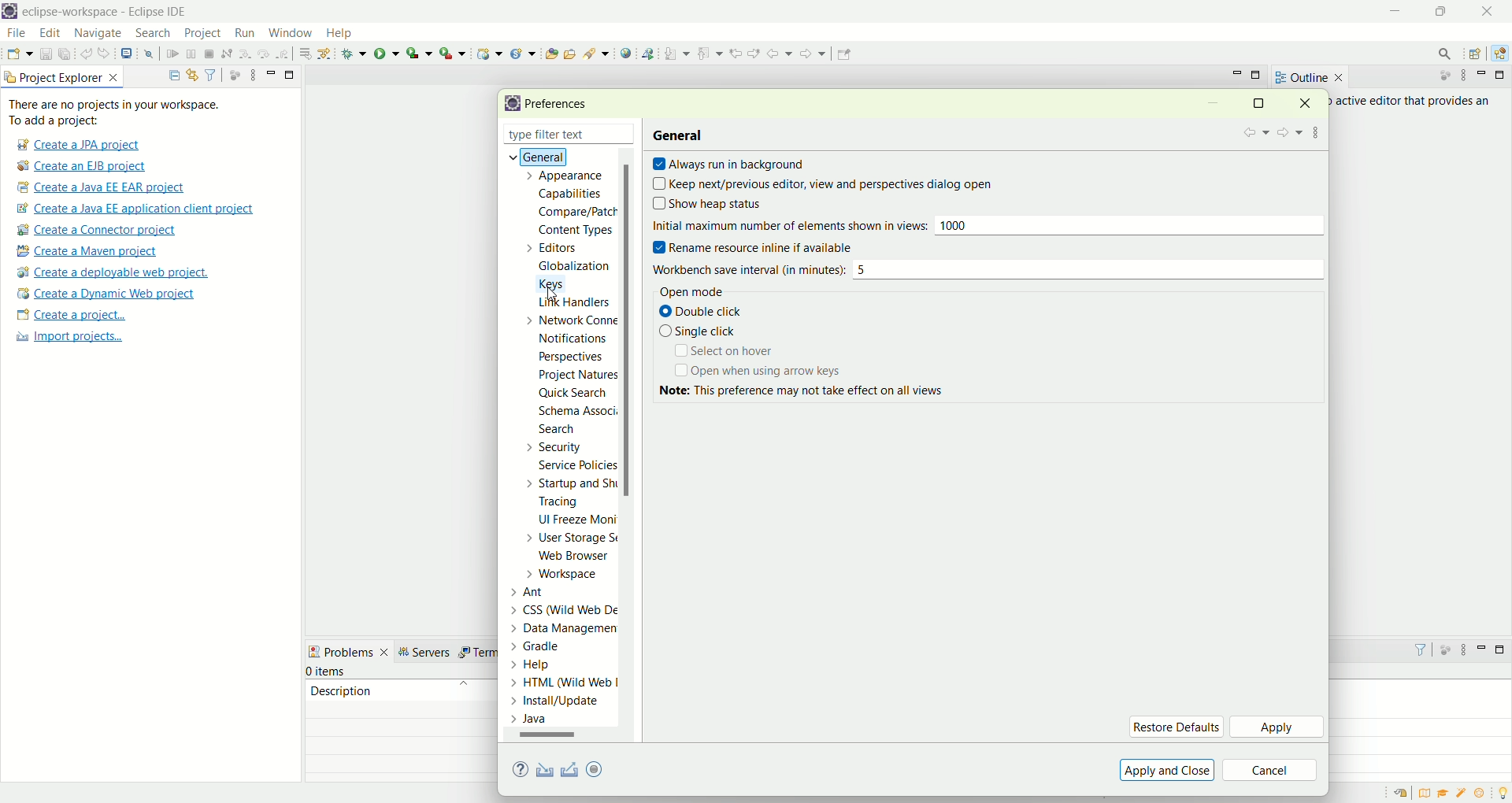 Image resolution: width=1512 pixels, height=803 pixels. Describe the element at coordinates (67, 337) in the screenshot. I see `import projects` at that location.